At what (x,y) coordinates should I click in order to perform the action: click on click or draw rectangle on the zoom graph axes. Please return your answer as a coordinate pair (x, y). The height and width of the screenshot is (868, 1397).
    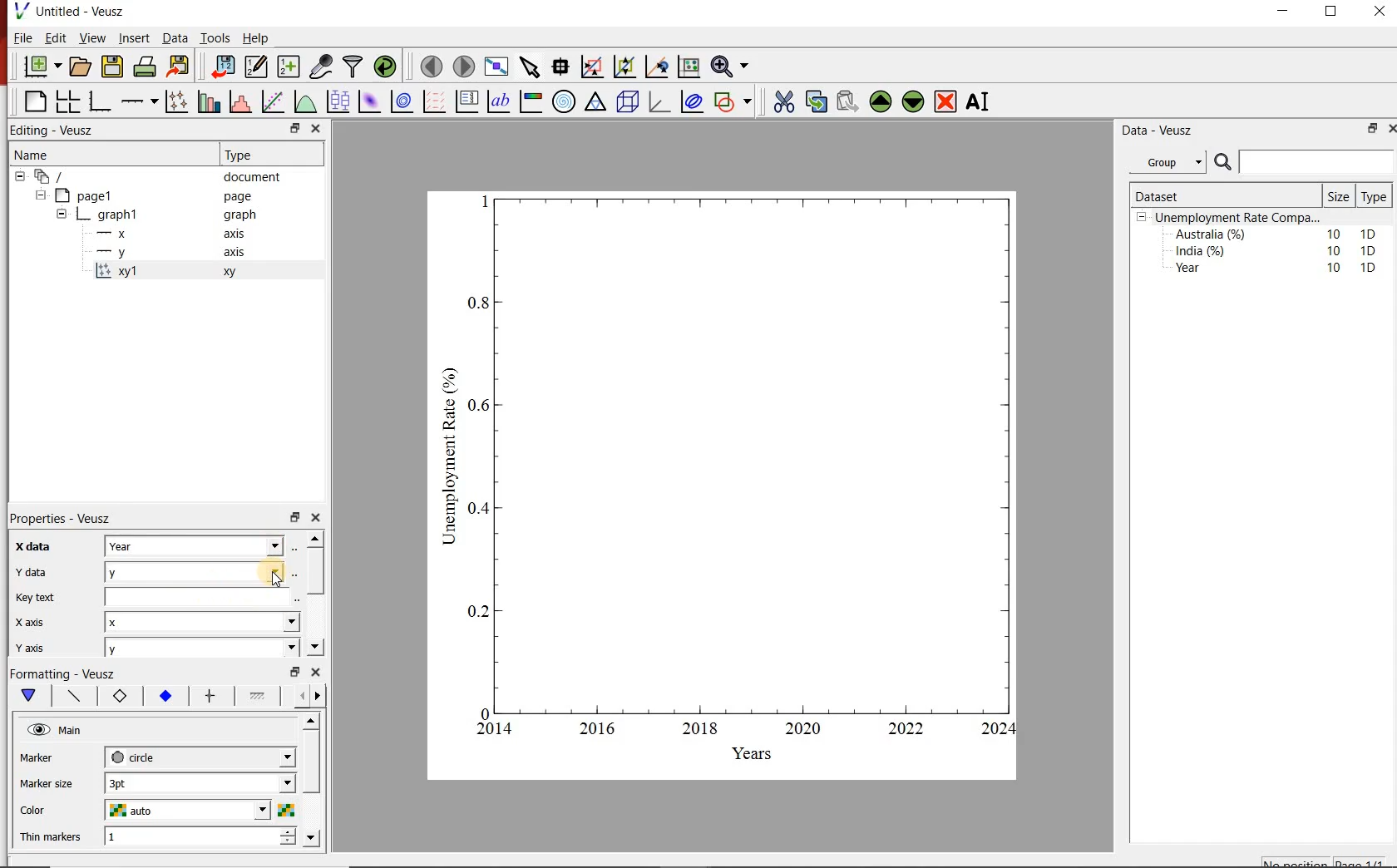
    Looking at the image, I should click on (593, 67).